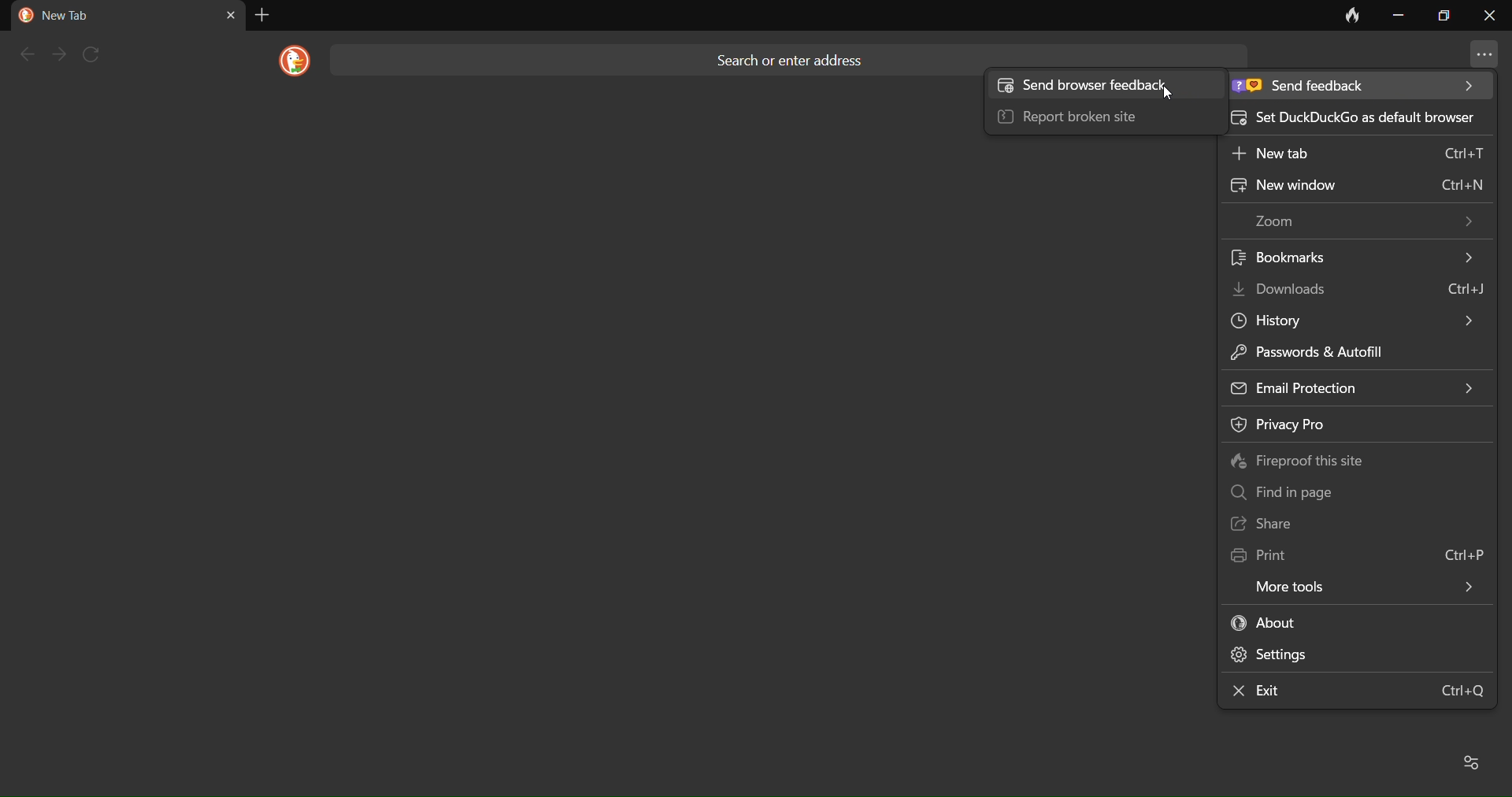 The height and width of the screenshot is (797, 1512). Describe the element at coordinates (1345, 20) in the screenshot. I see `clear data` at that location.